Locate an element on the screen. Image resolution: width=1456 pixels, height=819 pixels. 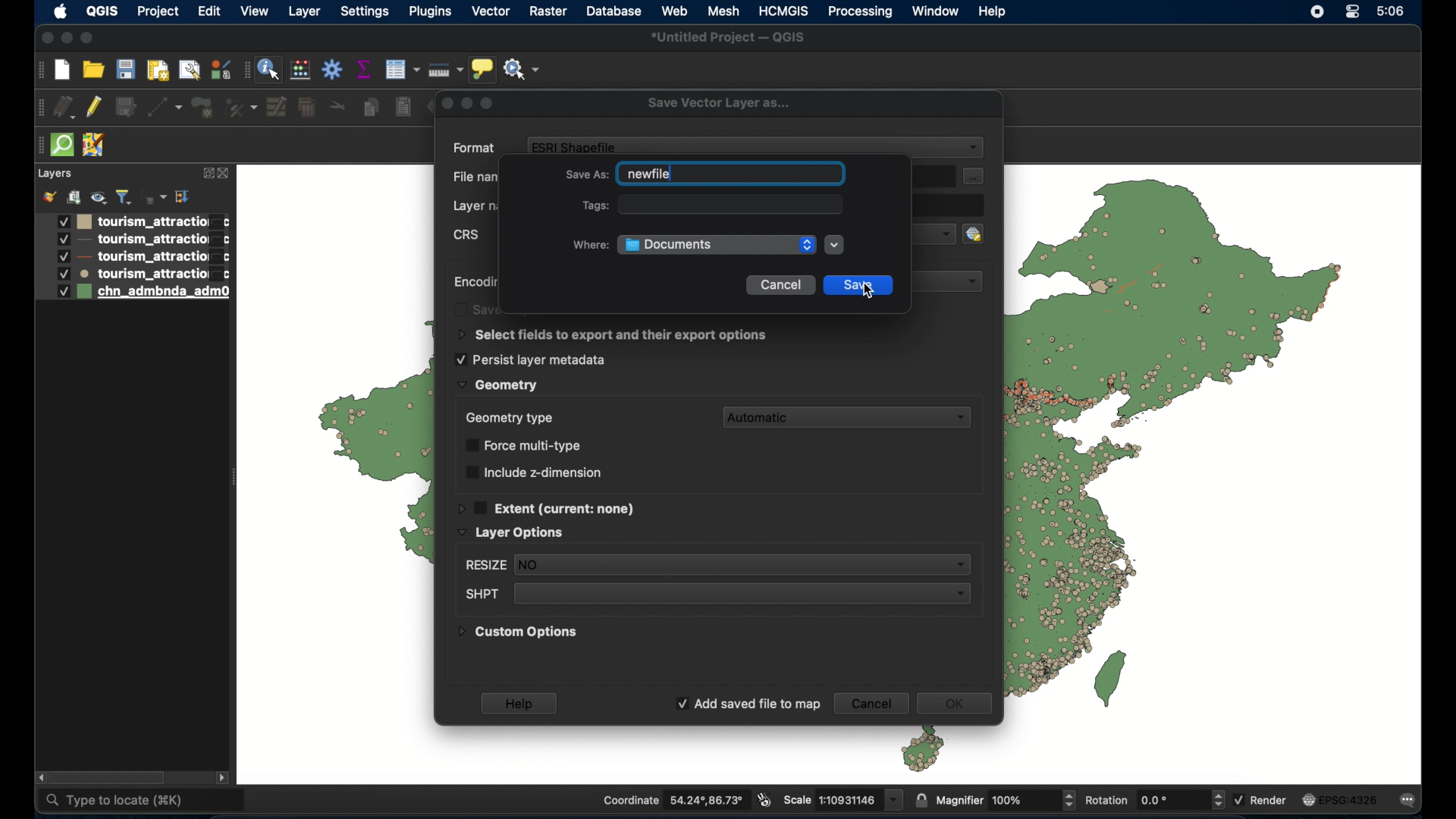
paste features is located at coordinates (404, 108).